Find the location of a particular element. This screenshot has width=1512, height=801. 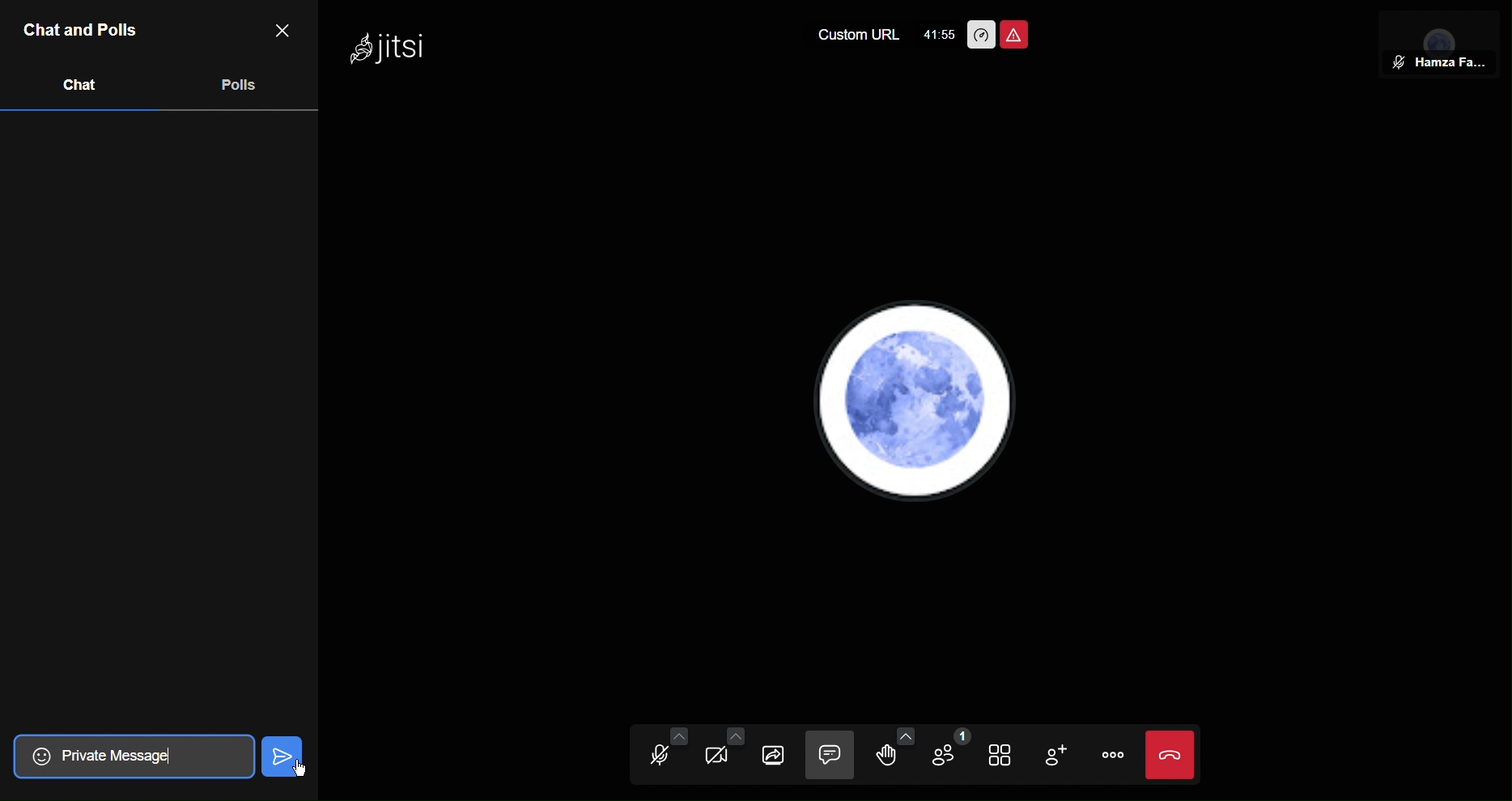

Unsafe Meeting is located at coordinates (1017, 36).